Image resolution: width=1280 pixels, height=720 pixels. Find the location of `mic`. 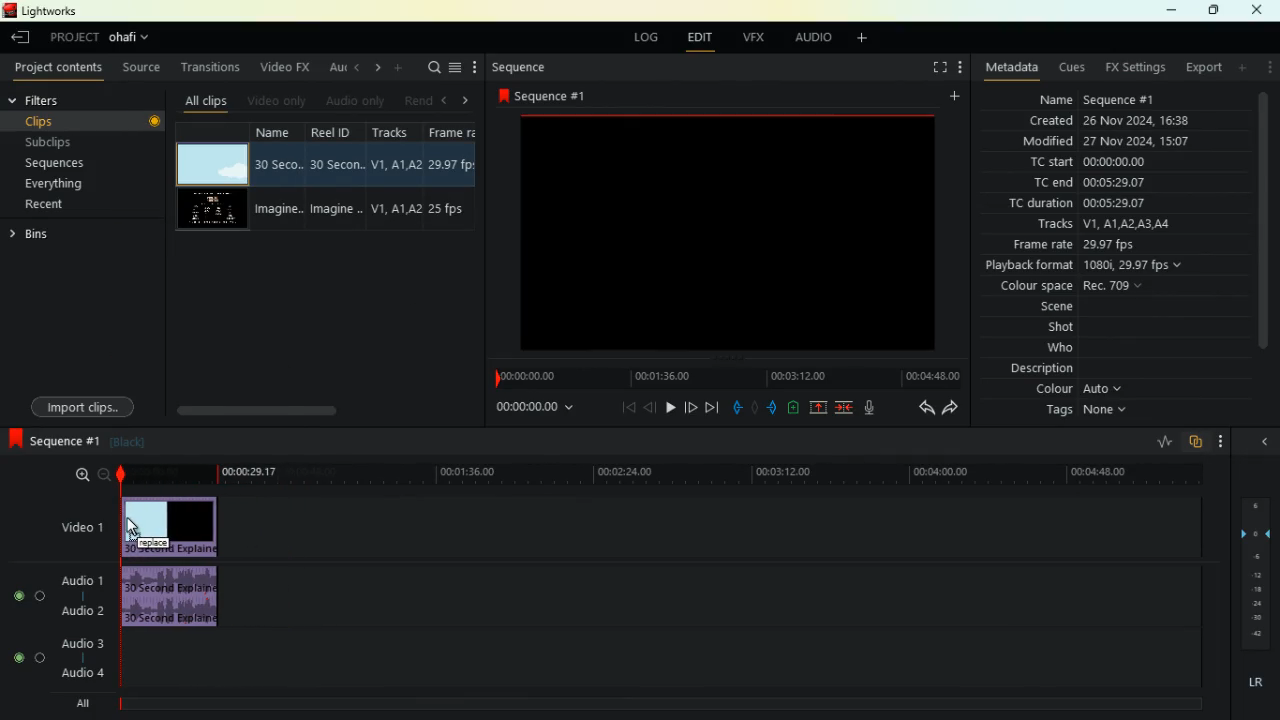

mic is located at coordinates (871, 405).